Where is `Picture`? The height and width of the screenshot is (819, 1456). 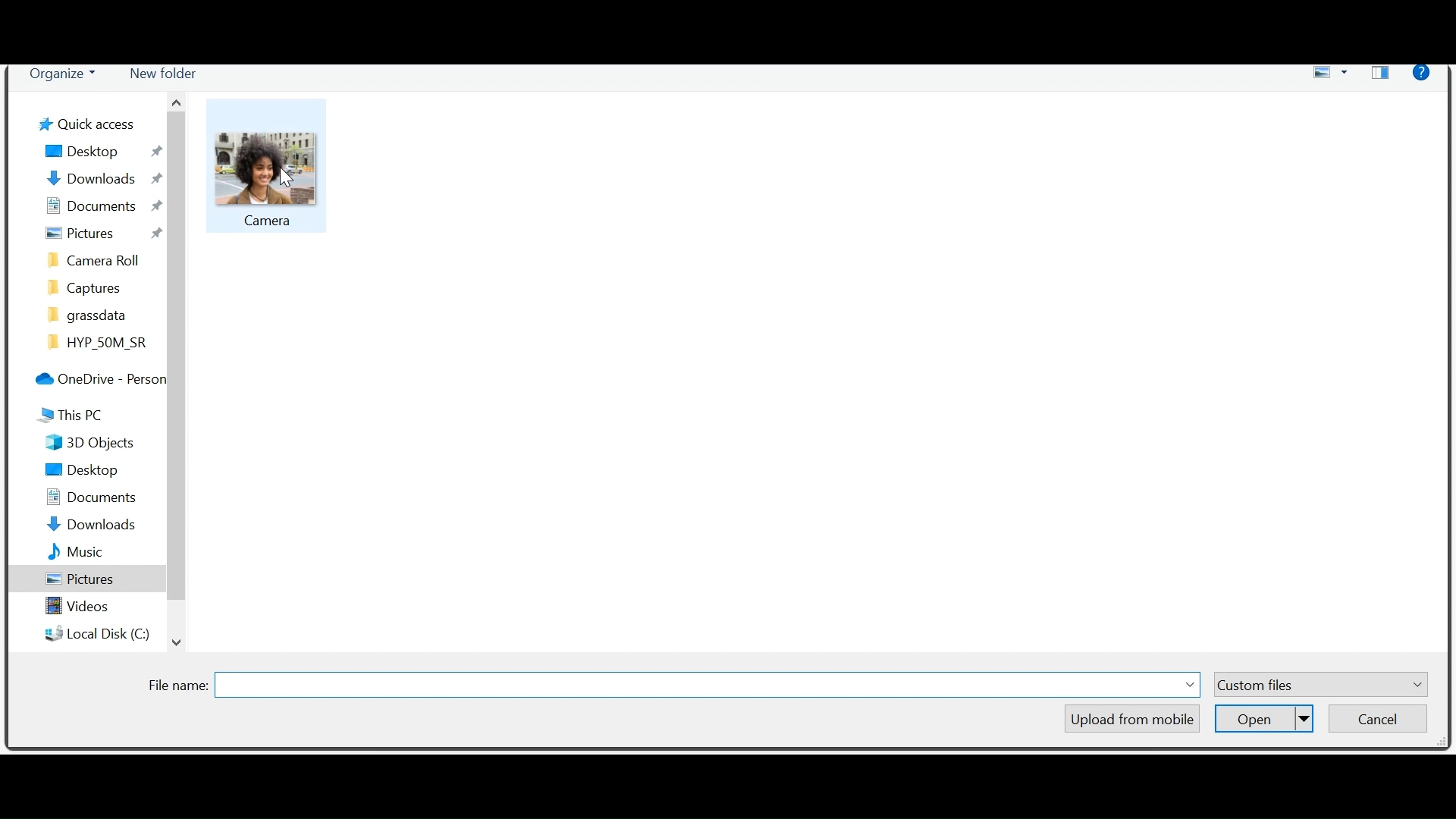 Picture is located at coordinates (274, 164).